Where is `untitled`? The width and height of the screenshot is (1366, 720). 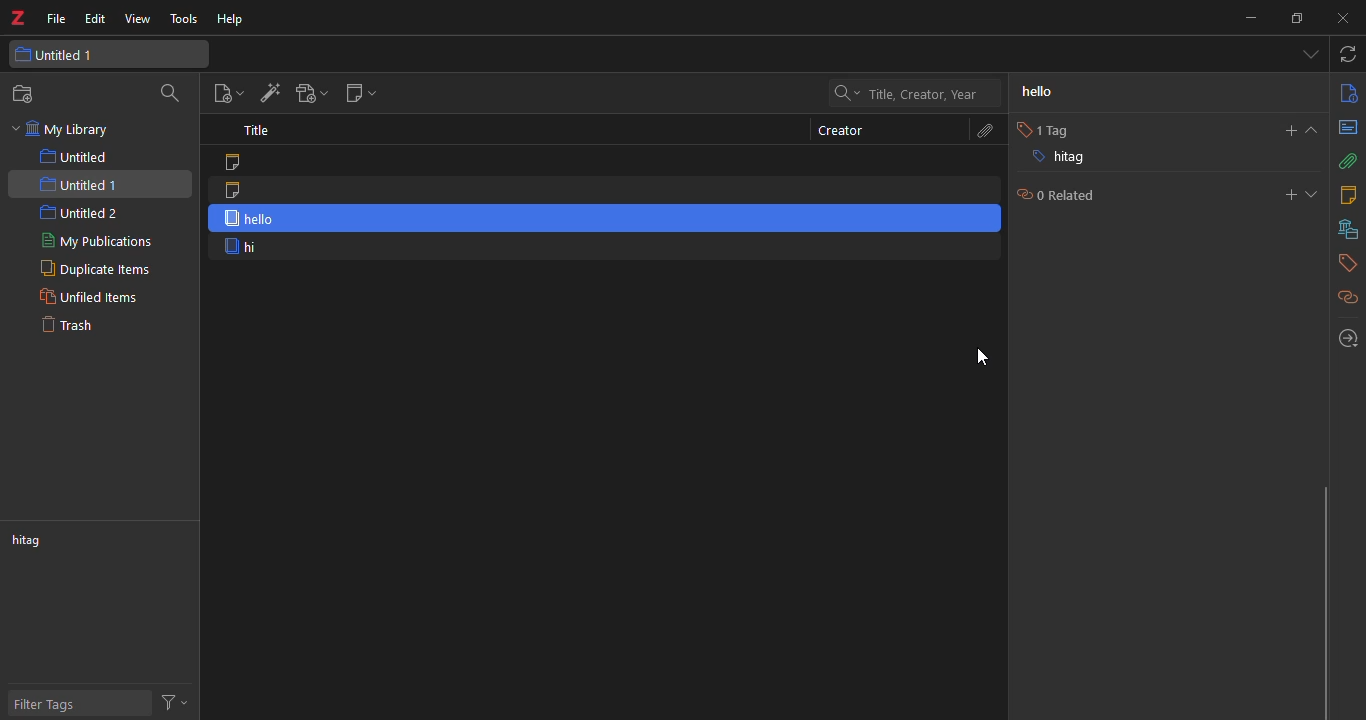
untitled is located at coordinates (74, 157).